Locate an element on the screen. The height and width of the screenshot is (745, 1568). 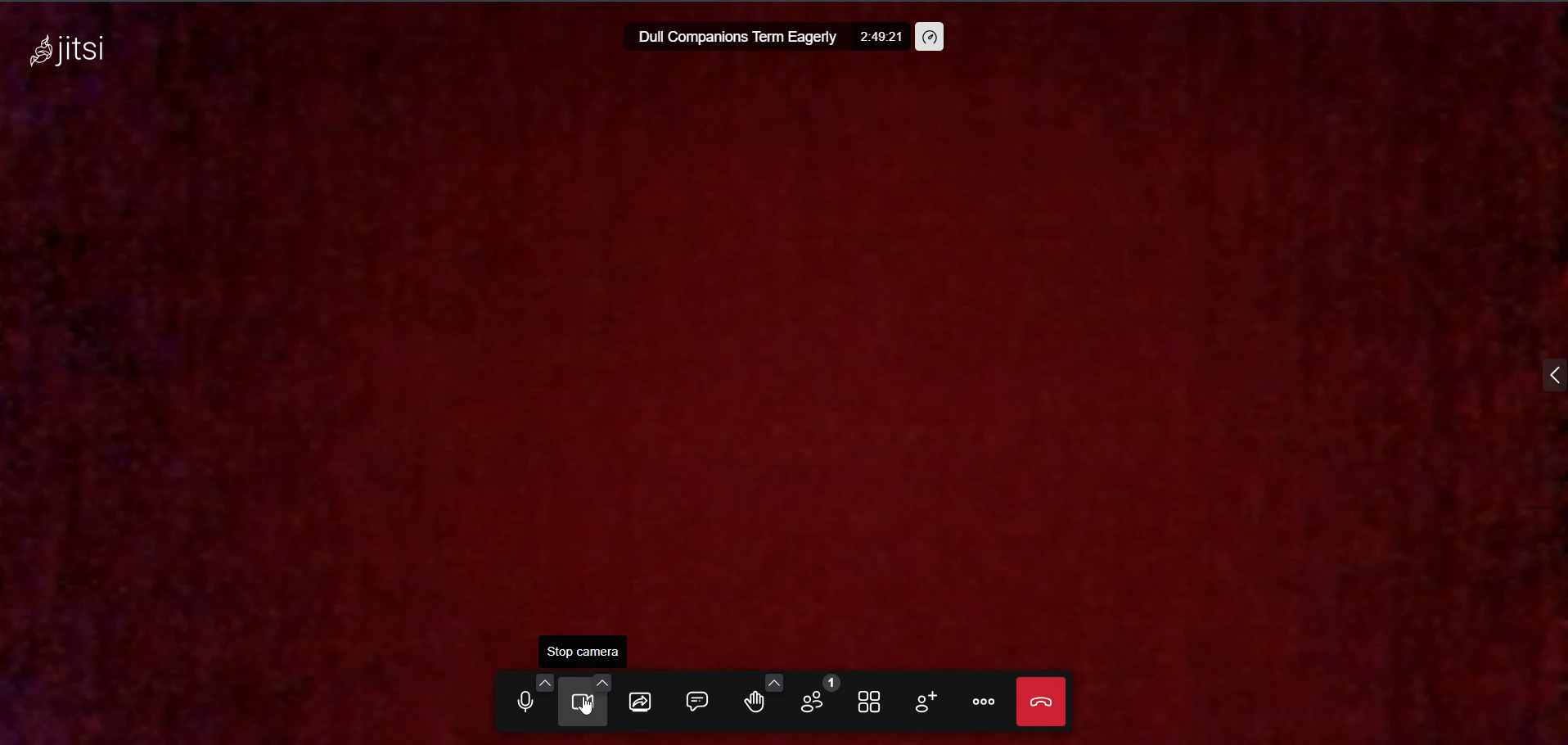
meeting title is located at coordinates (733, 38).